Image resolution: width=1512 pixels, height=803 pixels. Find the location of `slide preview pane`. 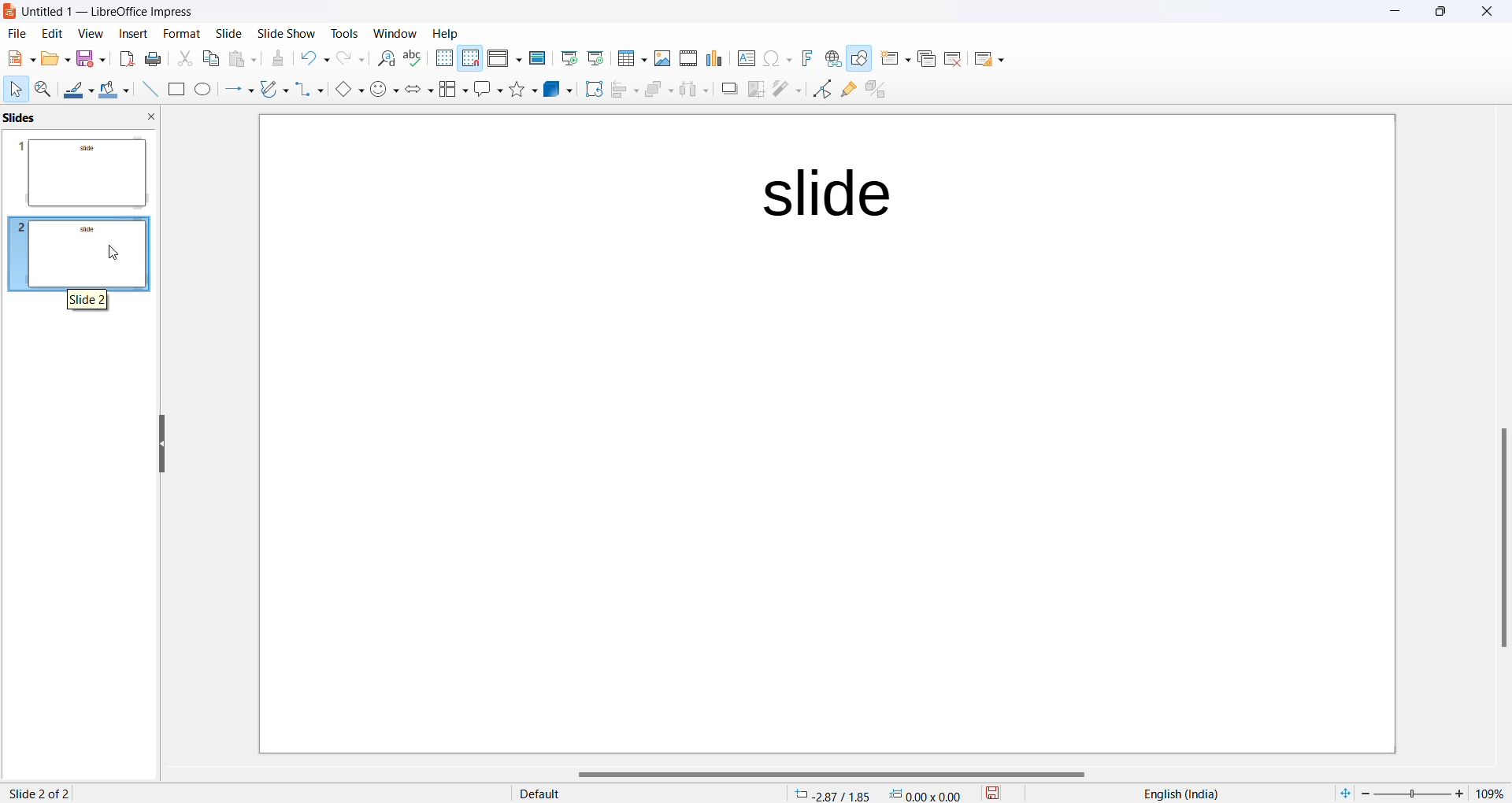

slide preview pane is located at coordinates (31, 117).